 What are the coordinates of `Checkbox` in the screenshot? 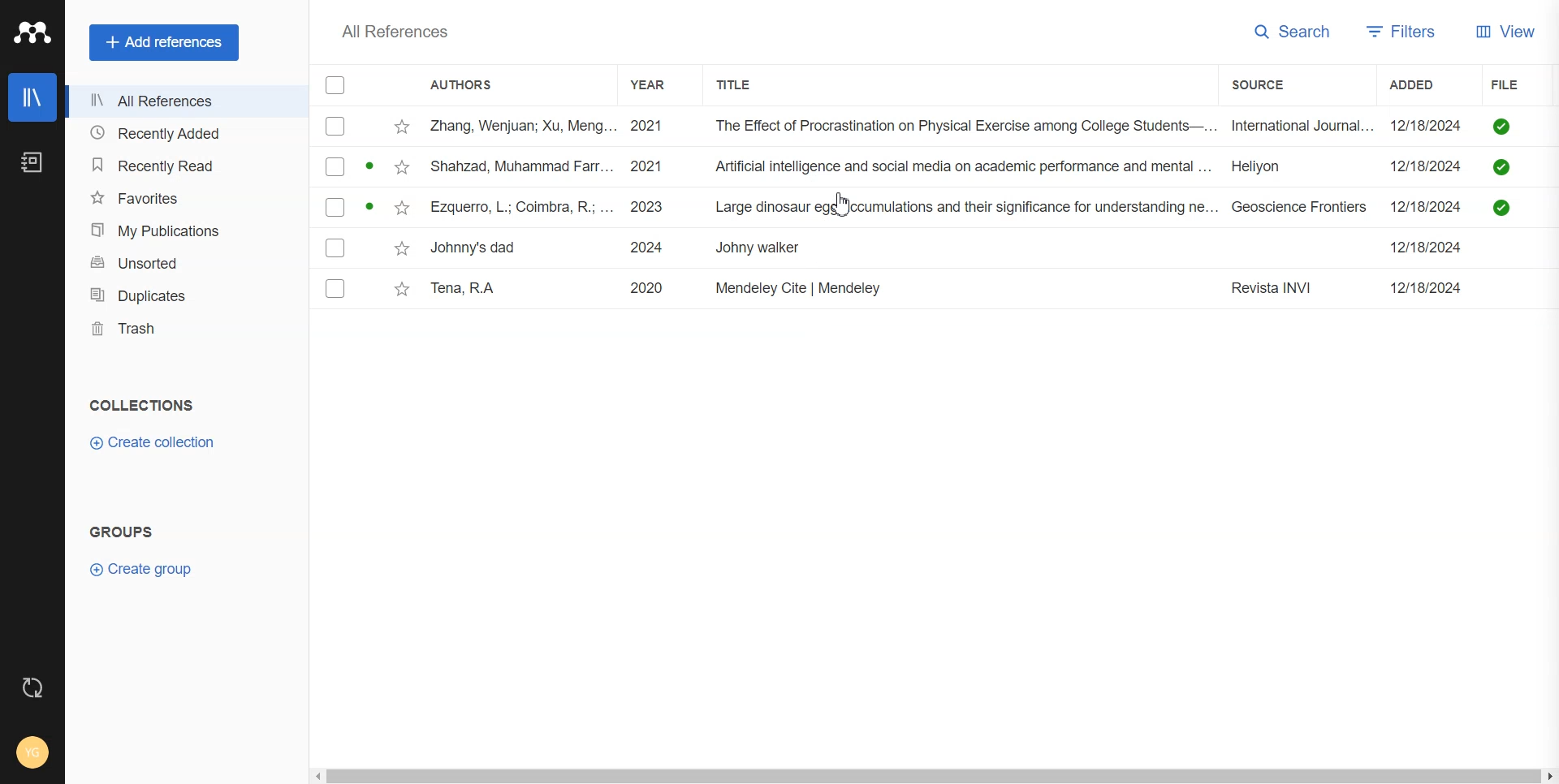 It's located at (335, 248).